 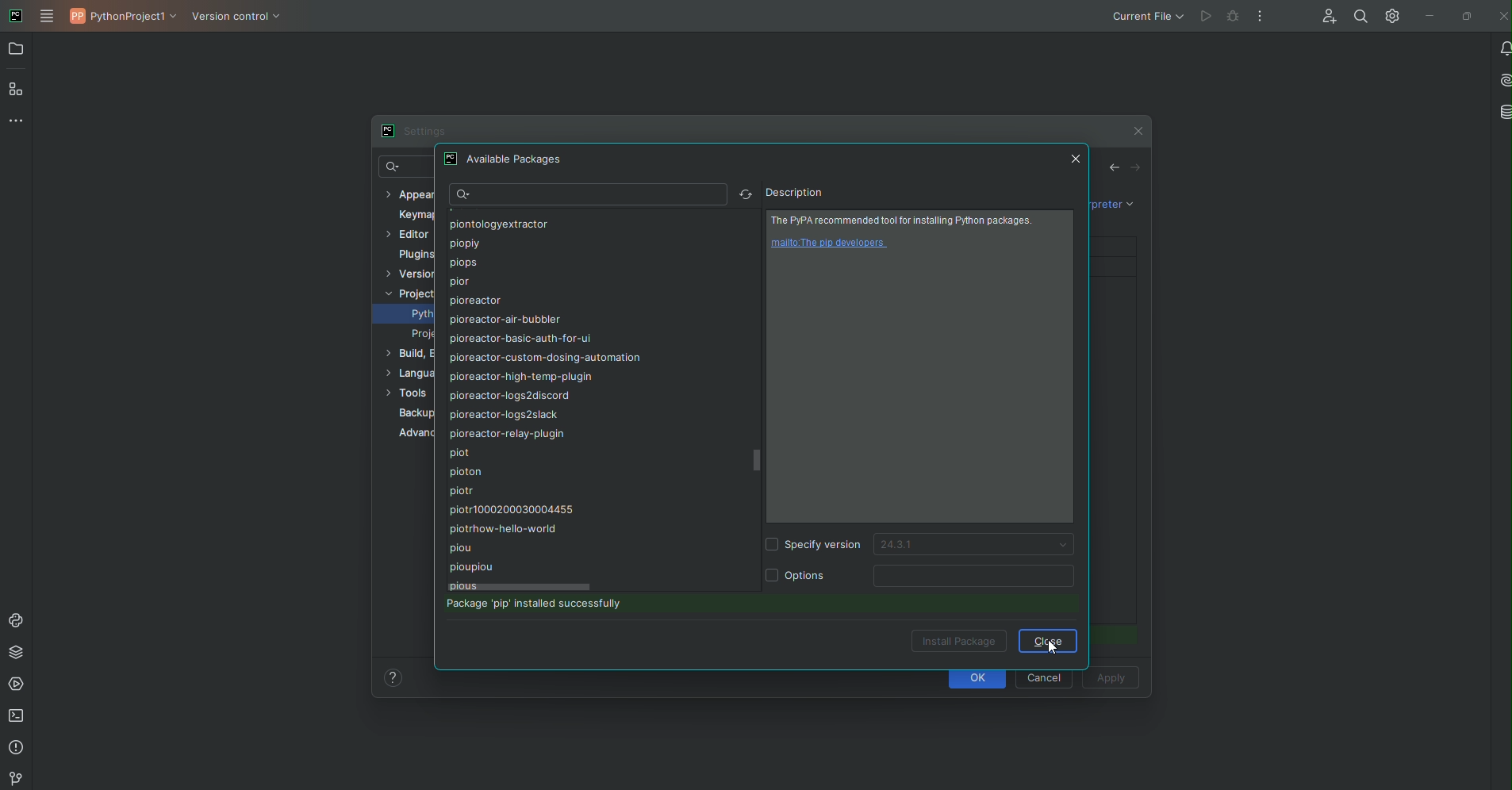 What do you see at coordinates (461, 282) in the screenshot?
I see `pior` at bounding box center [461, 282].